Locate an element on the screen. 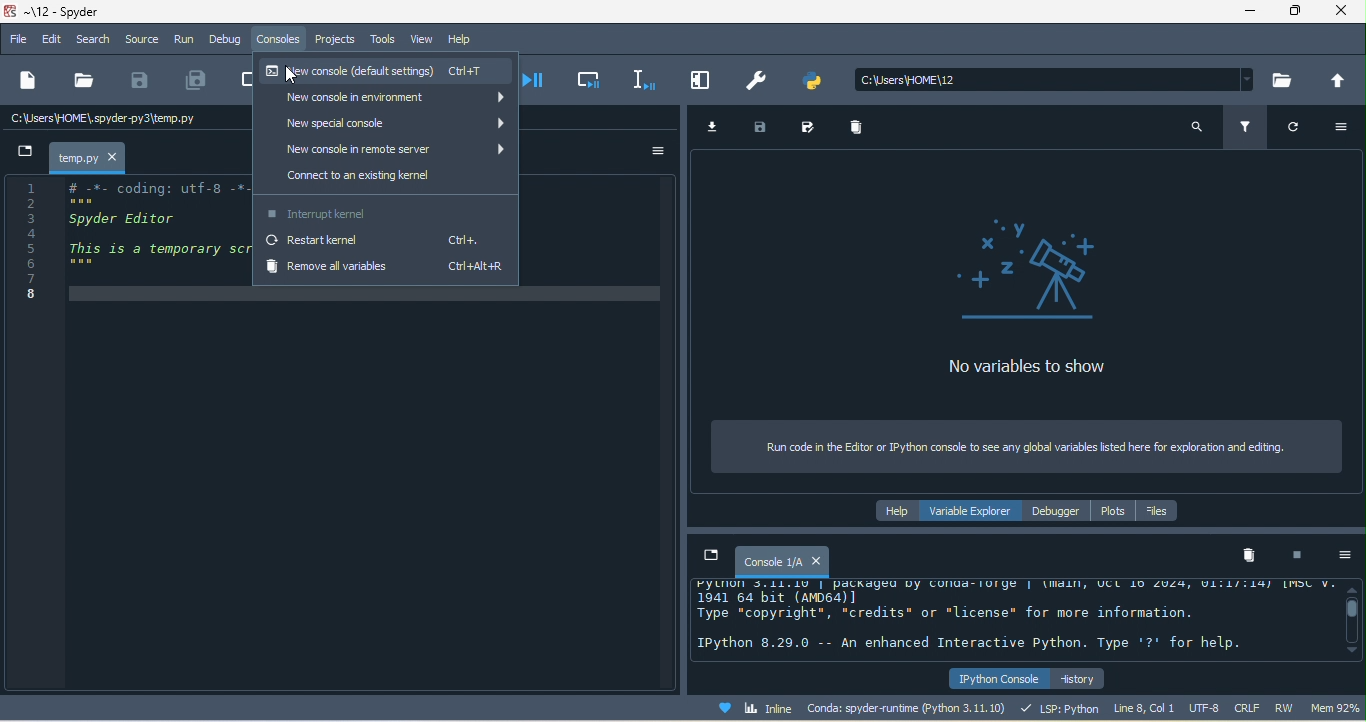 This screenshot has height=722, width=1366. create new cell is located at coordinates (241, 81).